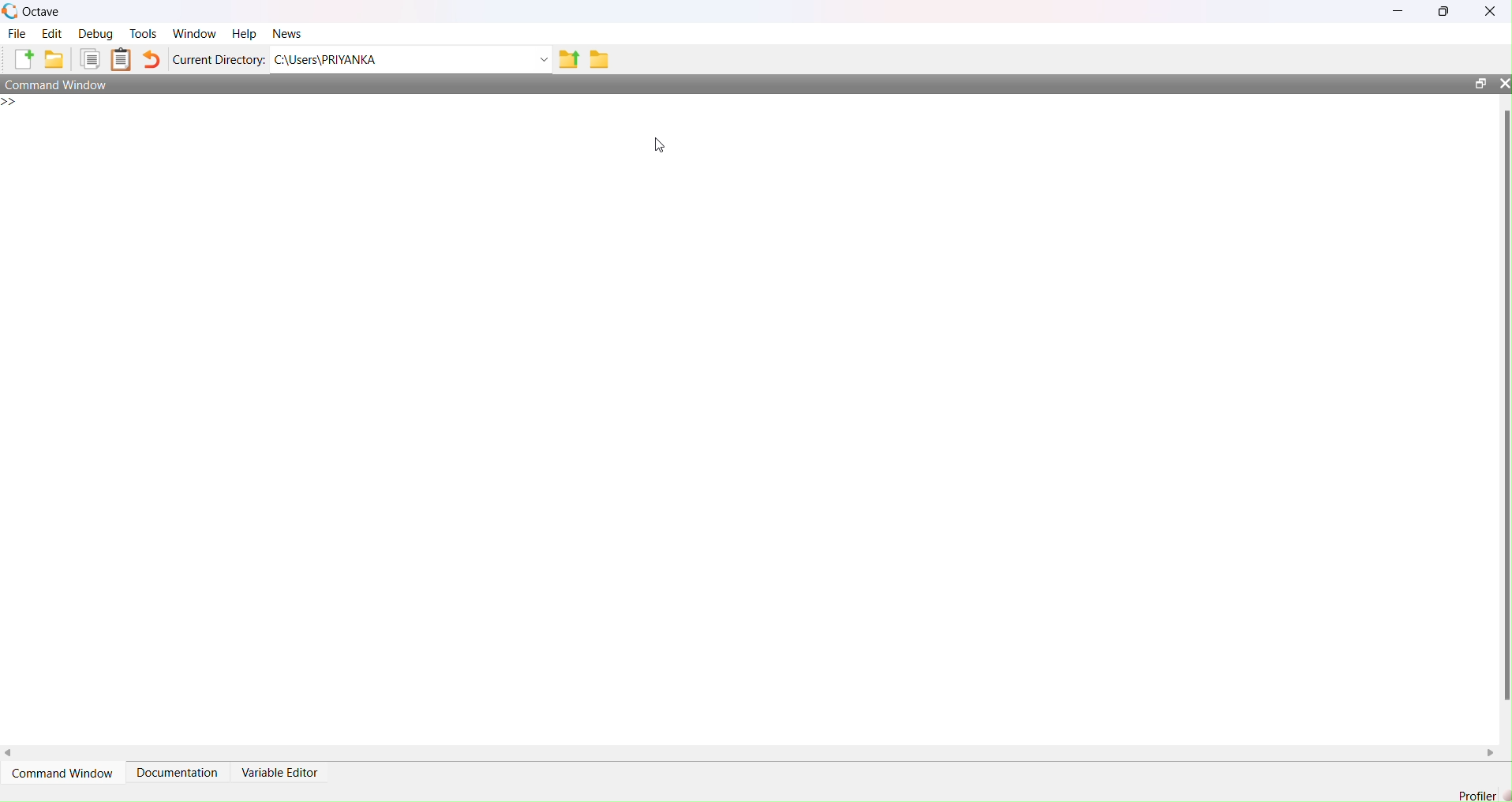 This screenshot has height=802, width=1512. What do you see at coordinates (95, 32) in the screenshot?
I see `Debug` at bounding box center [95, 32].